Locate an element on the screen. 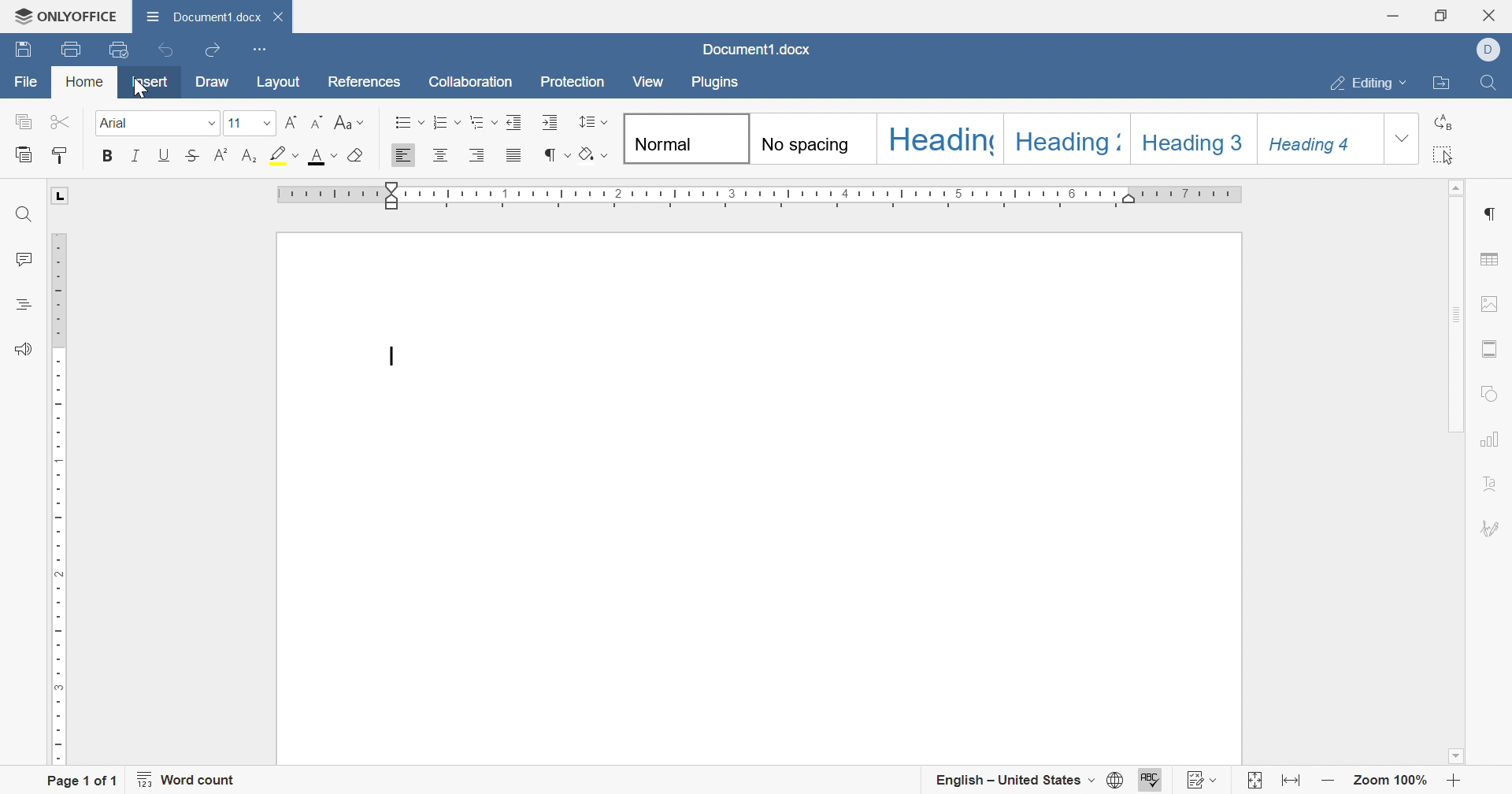  Align Center is located at coordinates (441, 157).